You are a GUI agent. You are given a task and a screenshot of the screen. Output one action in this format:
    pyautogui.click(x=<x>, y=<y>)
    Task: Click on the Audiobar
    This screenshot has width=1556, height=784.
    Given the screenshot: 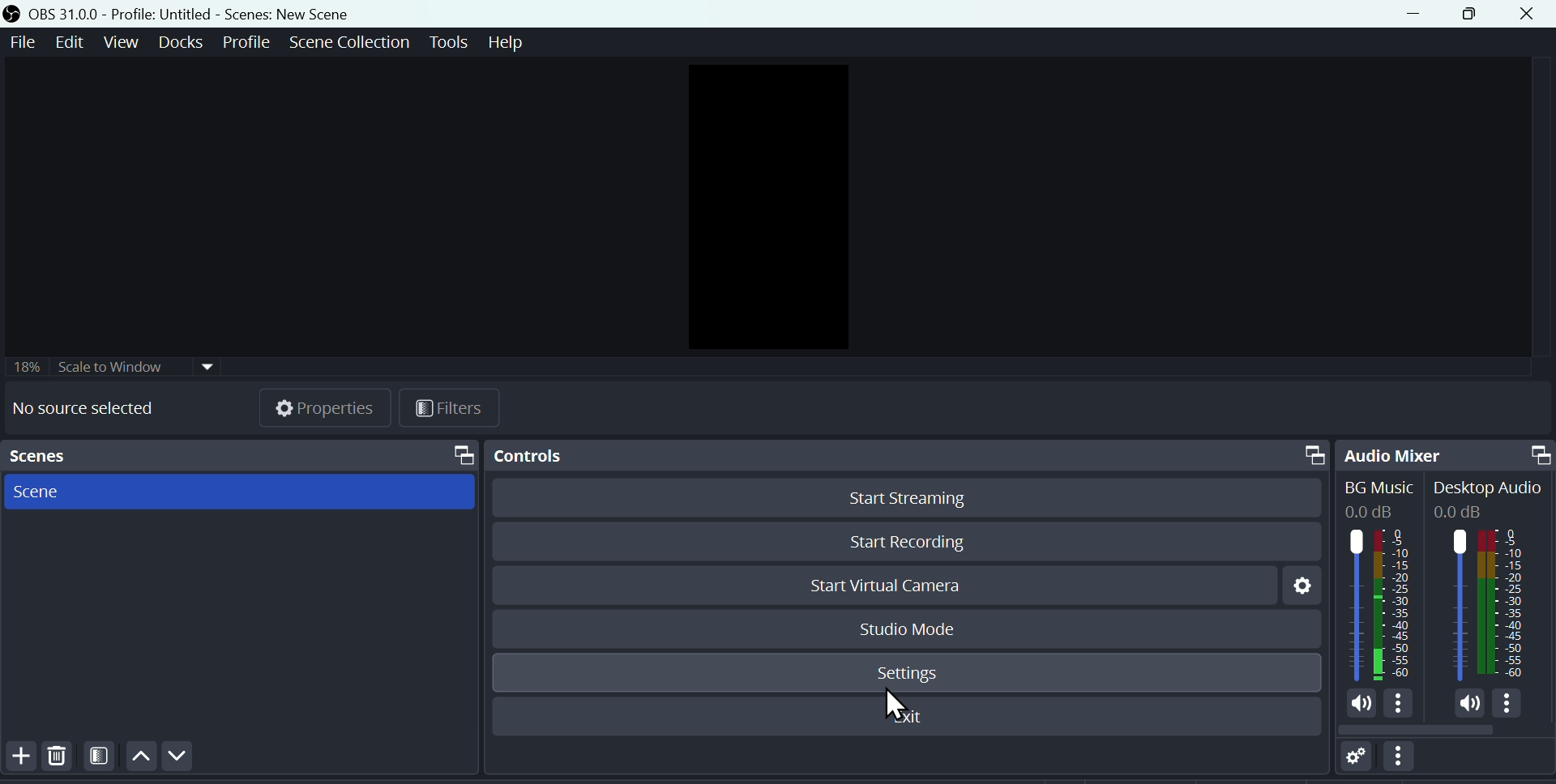 What is the action you would take?
    pyautogui.click(x=1444, y=607)
    